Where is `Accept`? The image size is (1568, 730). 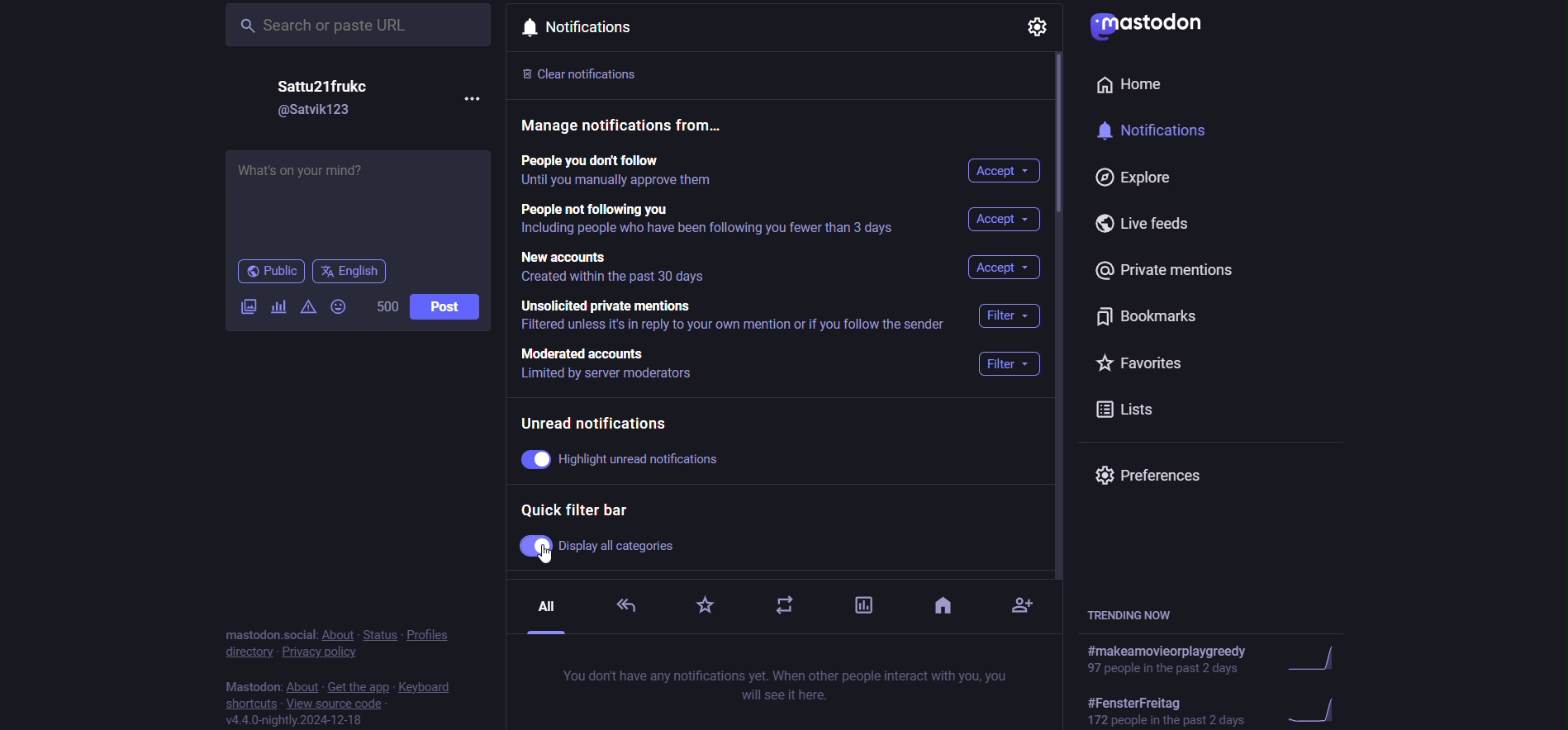
Accept is located at coordinates (1006, 220).